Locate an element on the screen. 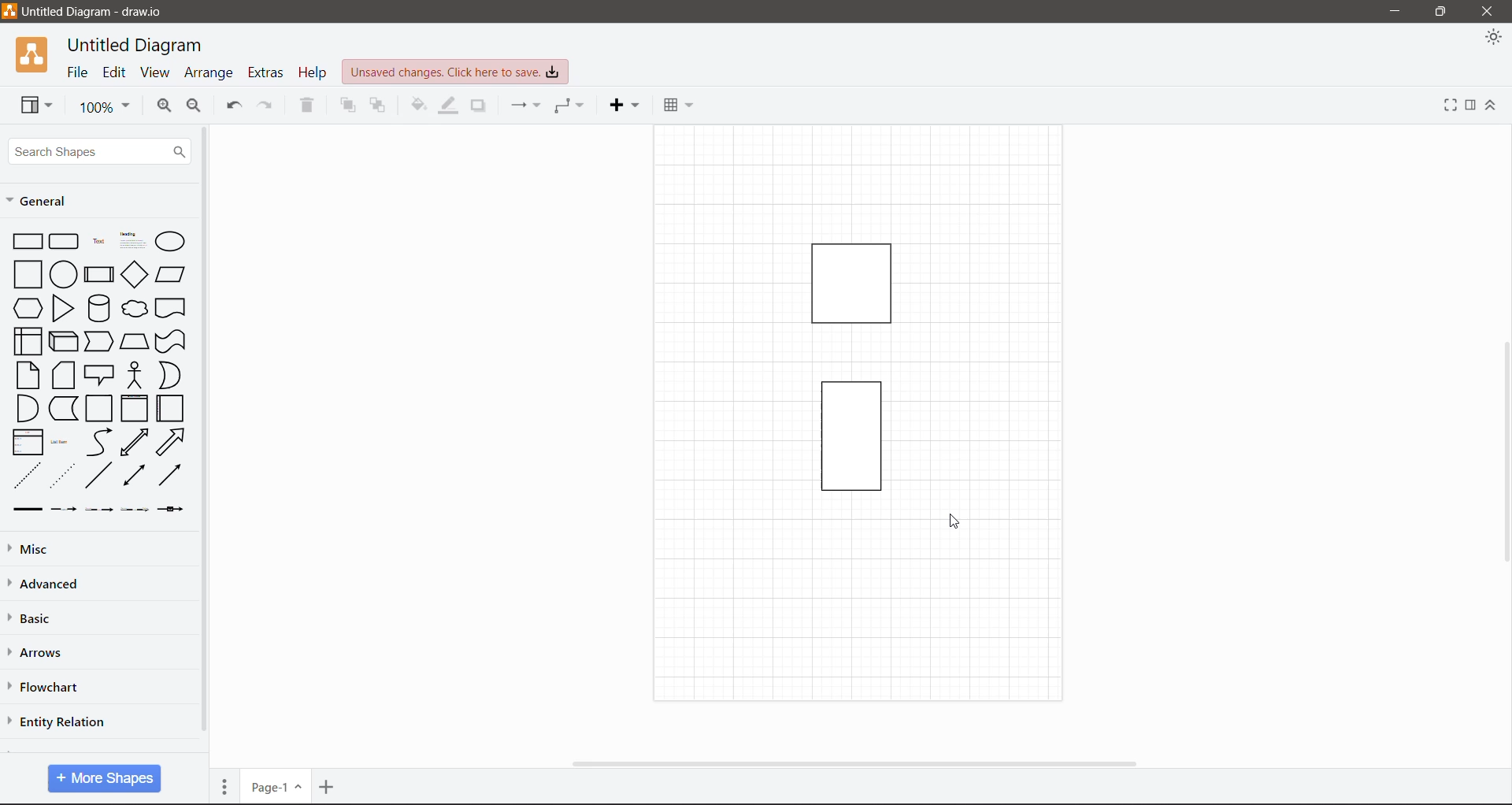  Cursor is located at coordinates (961, 525).